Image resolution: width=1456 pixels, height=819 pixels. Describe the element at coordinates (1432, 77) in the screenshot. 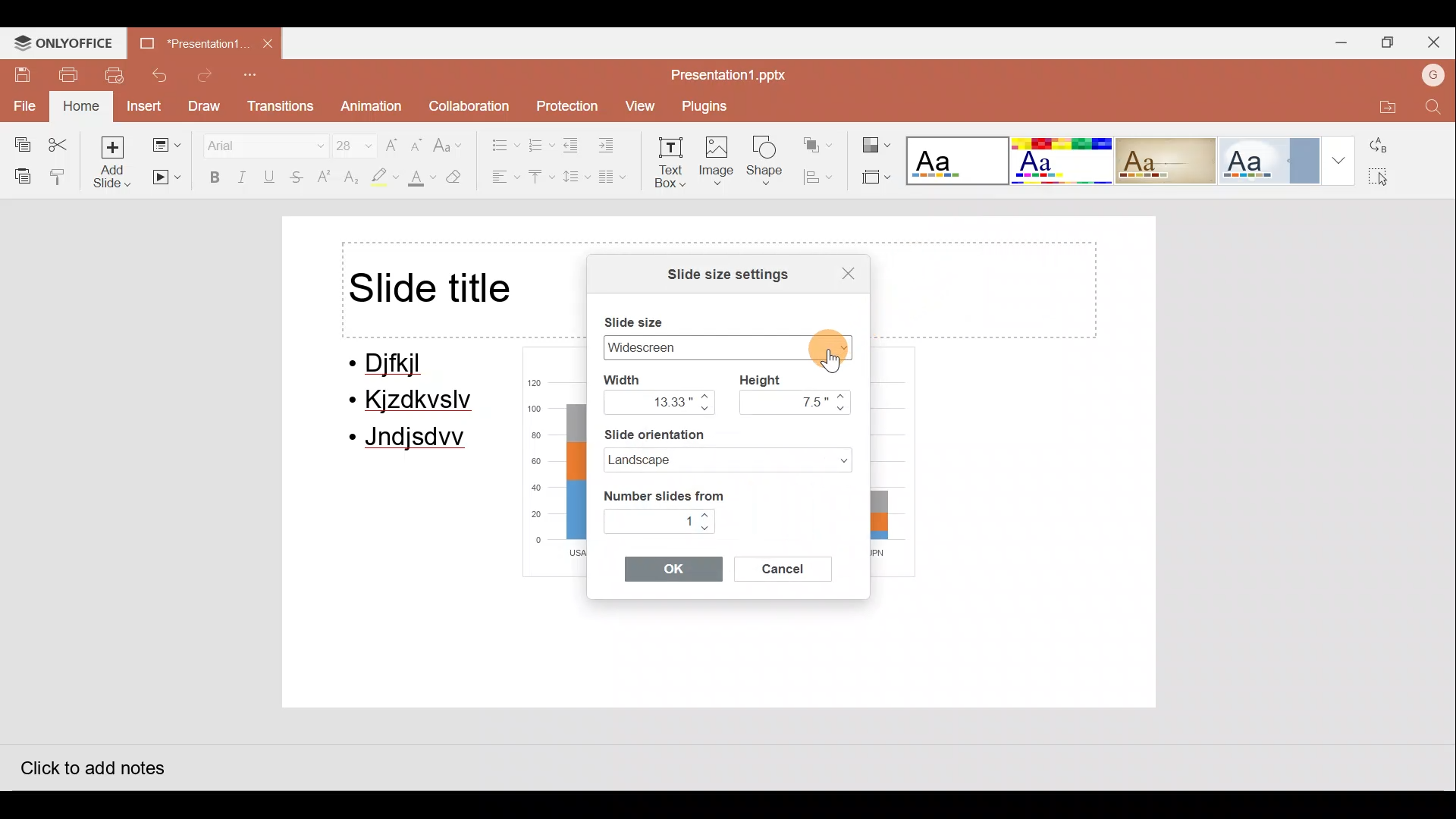

I see `Account name` at that location.